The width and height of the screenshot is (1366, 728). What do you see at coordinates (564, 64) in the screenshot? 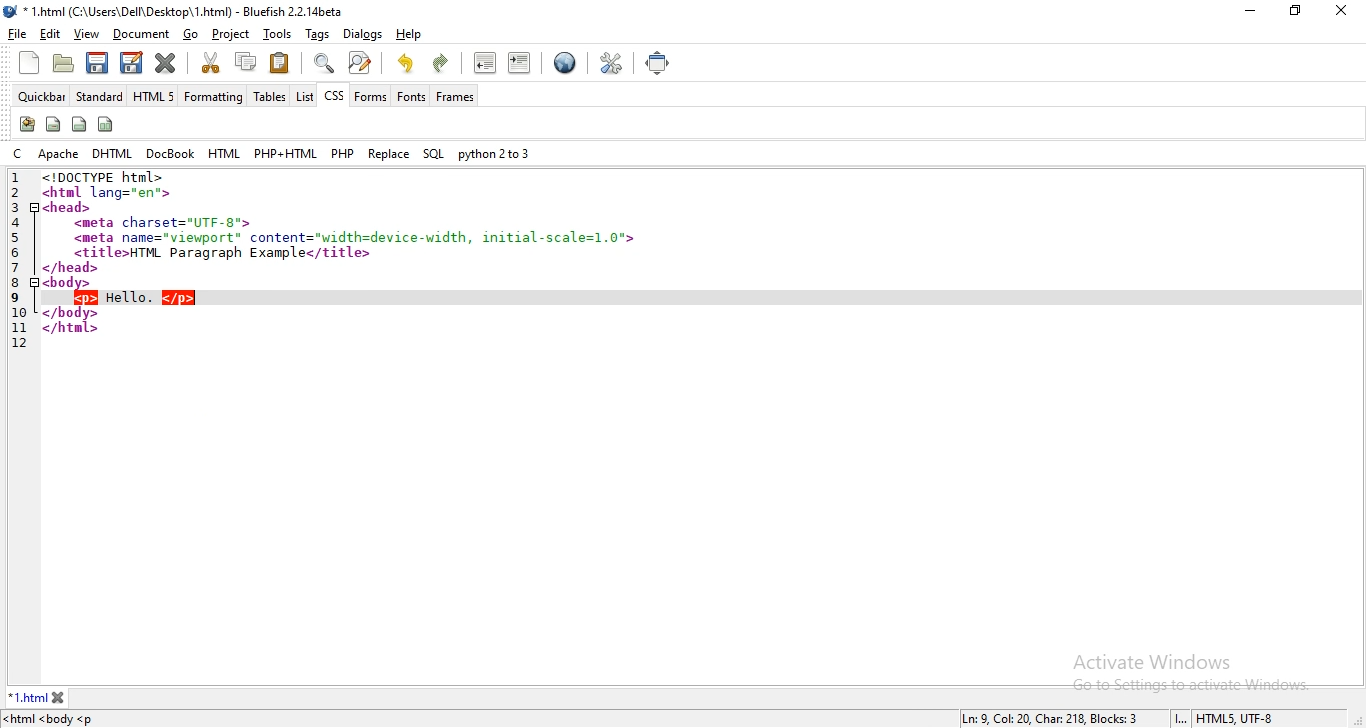
I see `preview in browser` at bounding box center [564, 64].